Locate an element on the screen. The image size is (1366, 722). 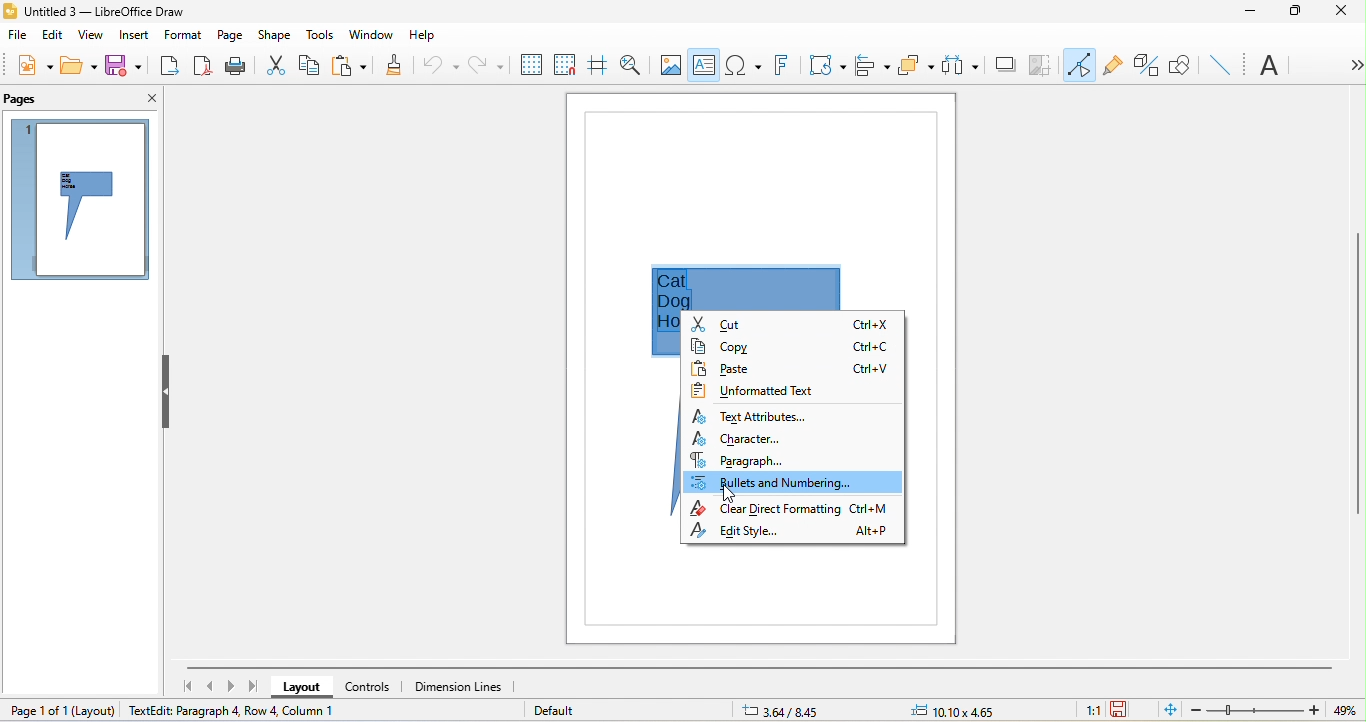
cursor movement is located at coordinates (731, 495).